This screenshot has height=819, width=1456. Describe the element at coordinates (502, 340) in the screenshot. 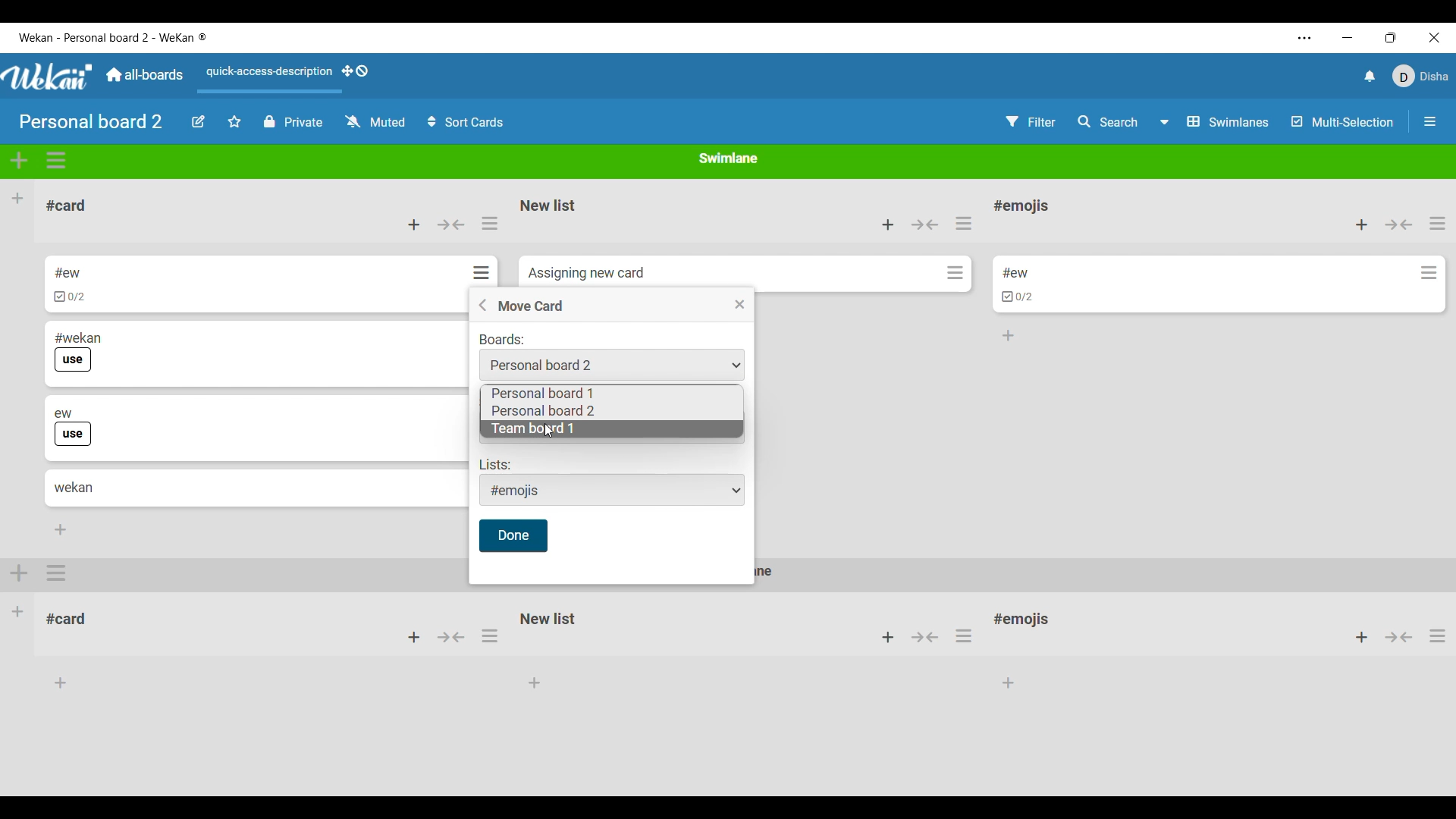

I see `Indicates board options` at that location.